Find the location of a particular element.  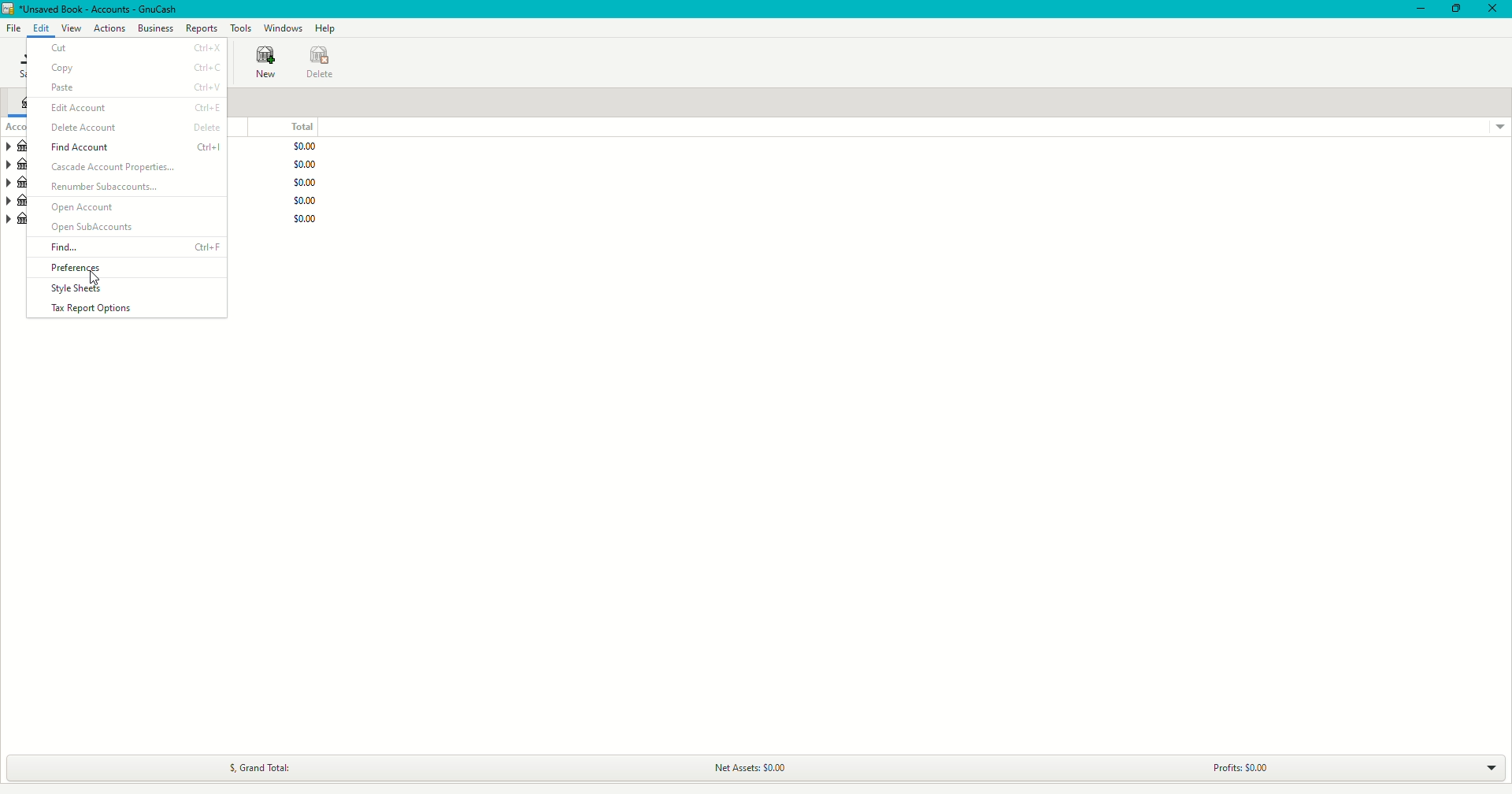

Tools is located at coordinates (241, 28).